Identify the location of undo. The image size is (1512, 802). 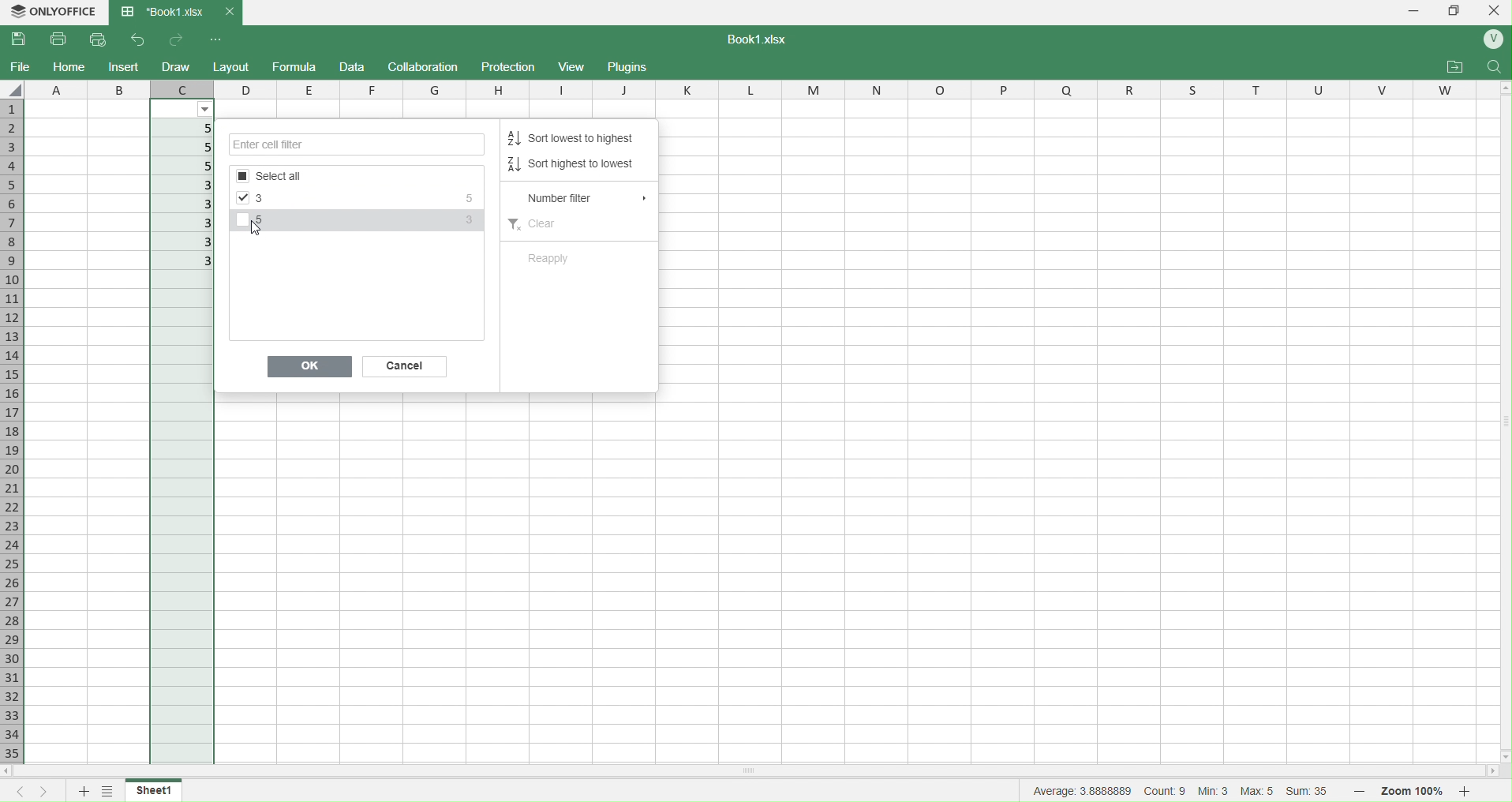
(133, 41).